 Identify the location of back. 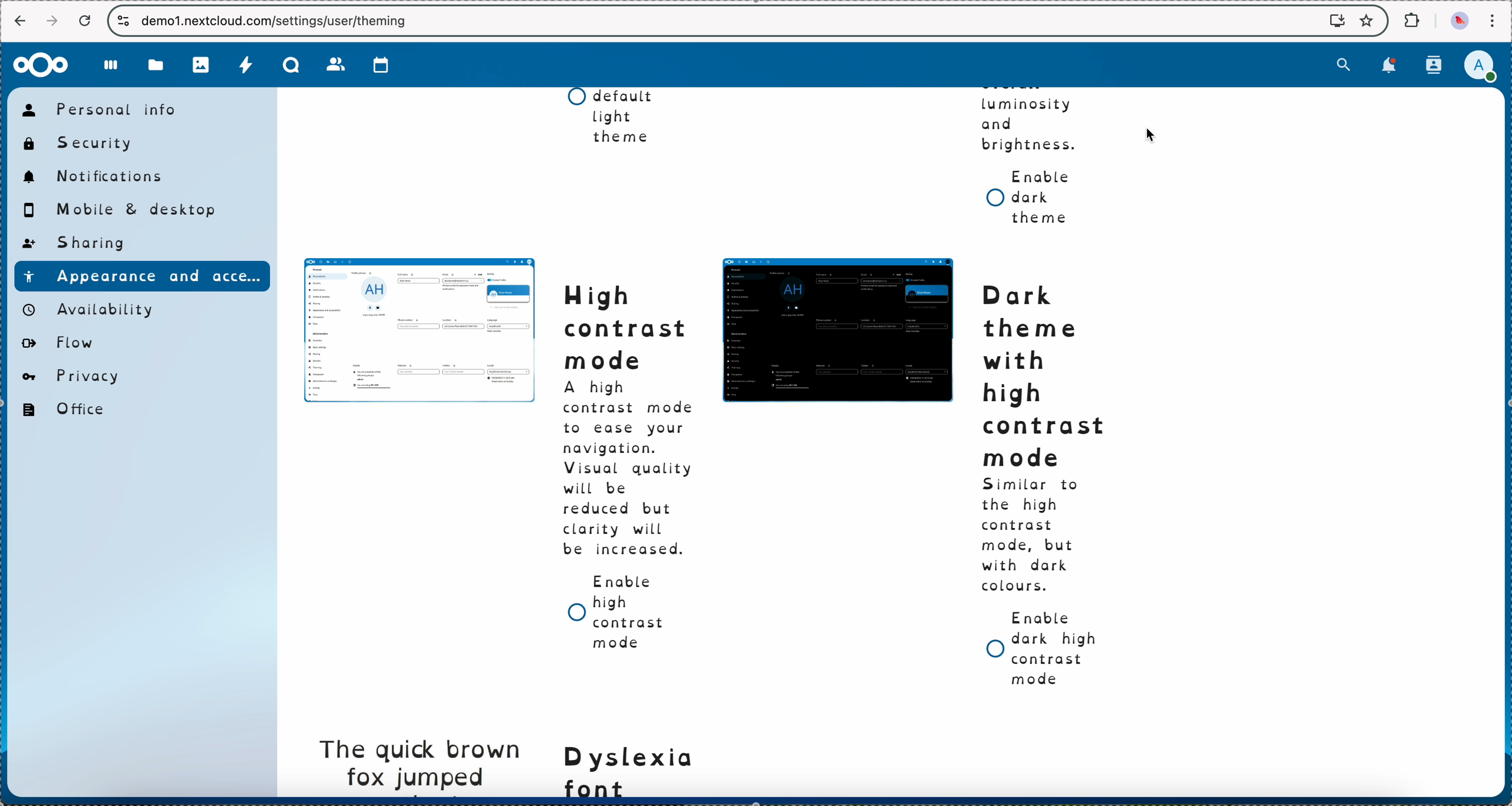
(21, 20).